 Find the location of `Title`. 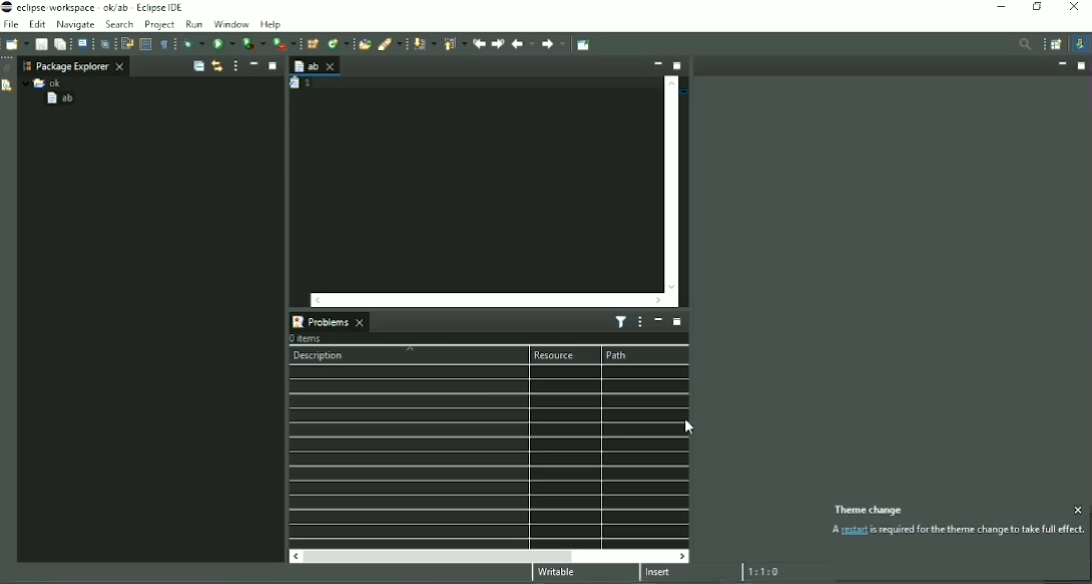

Title is located at coordinates (98, 8).